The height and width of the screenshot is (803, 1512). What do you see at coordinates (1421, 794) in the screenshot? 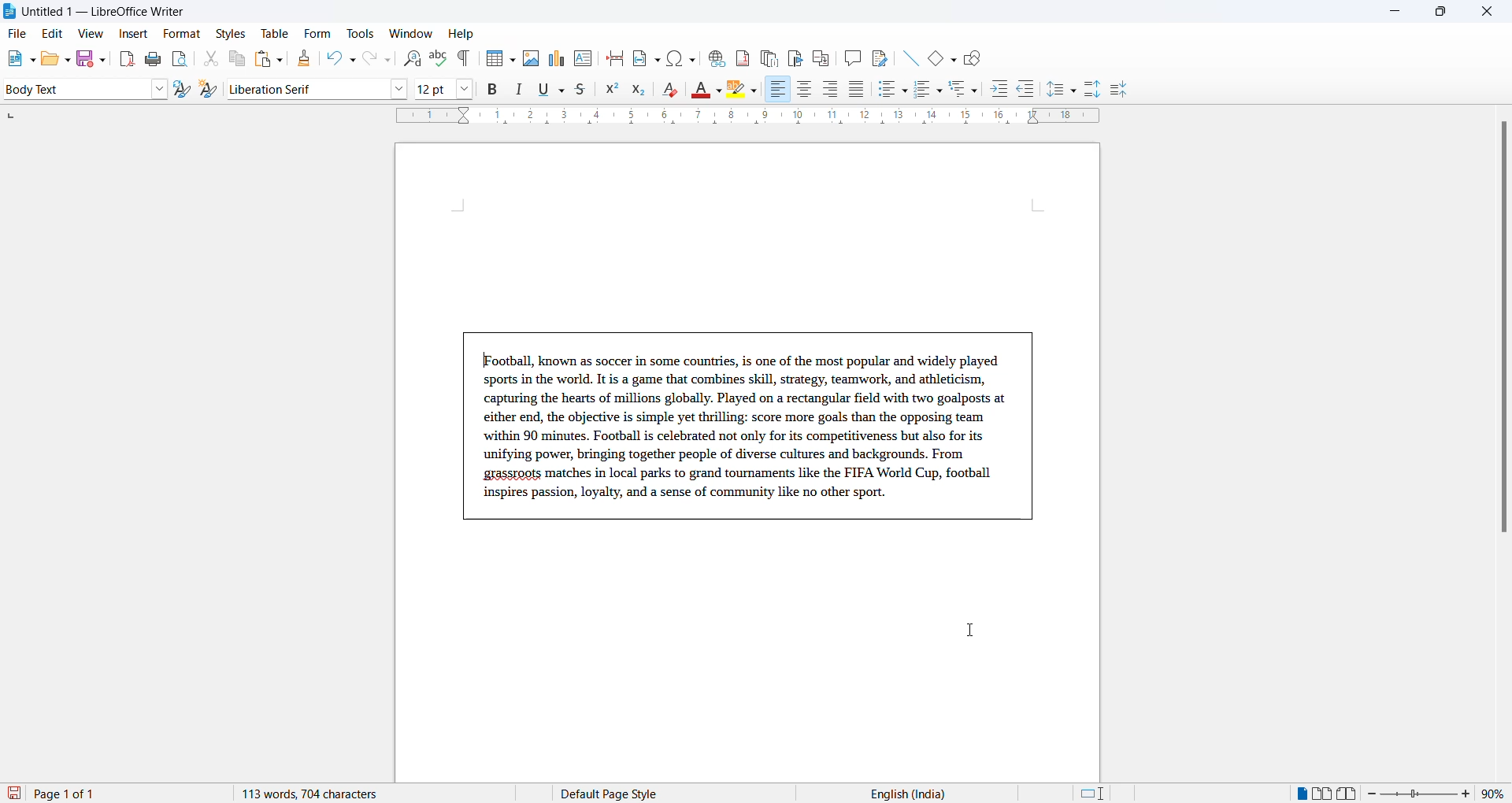
I see `zoom slider` at bounding box center [1421, 794].